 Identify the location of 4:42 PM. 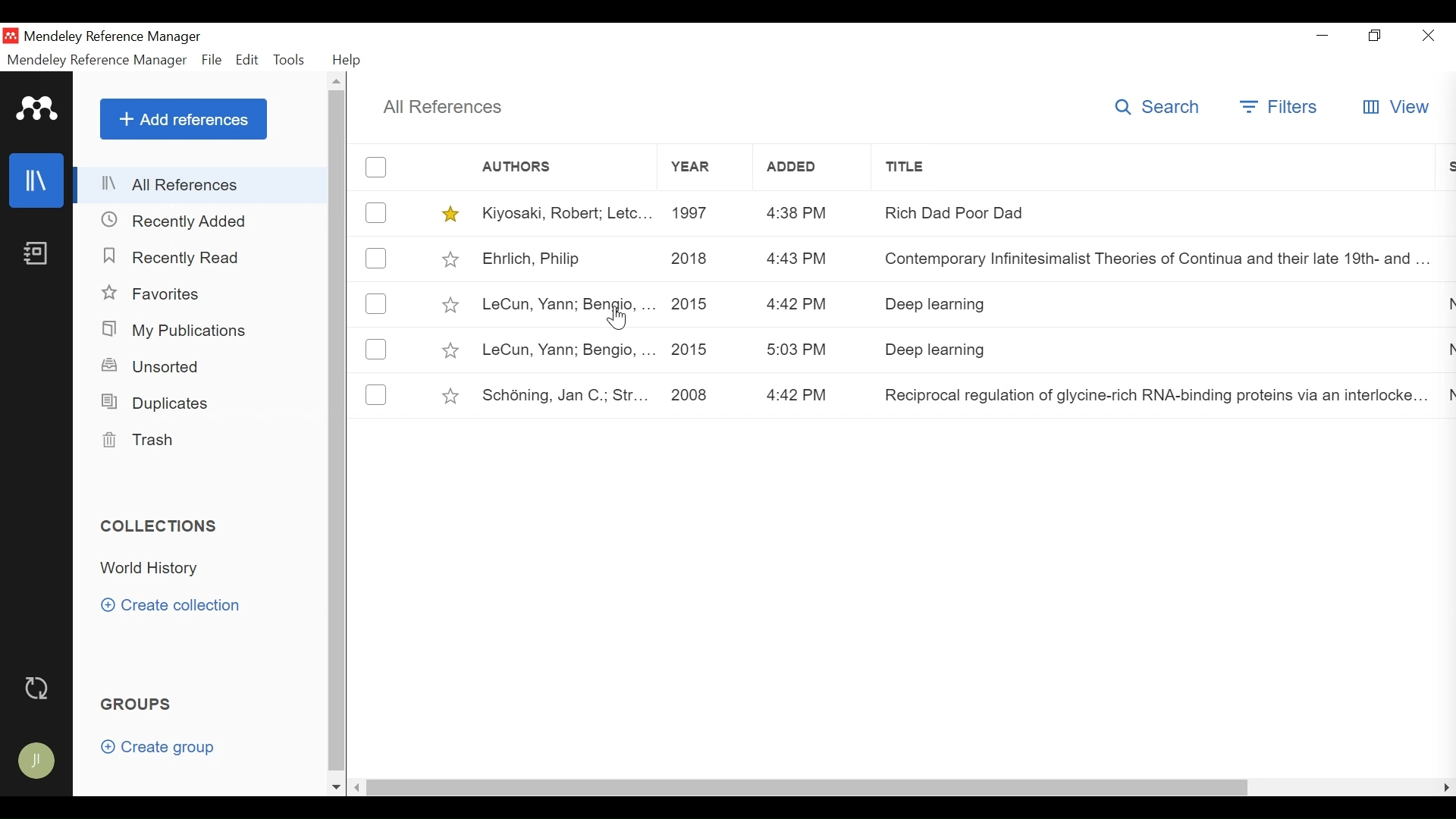
(799, 306).